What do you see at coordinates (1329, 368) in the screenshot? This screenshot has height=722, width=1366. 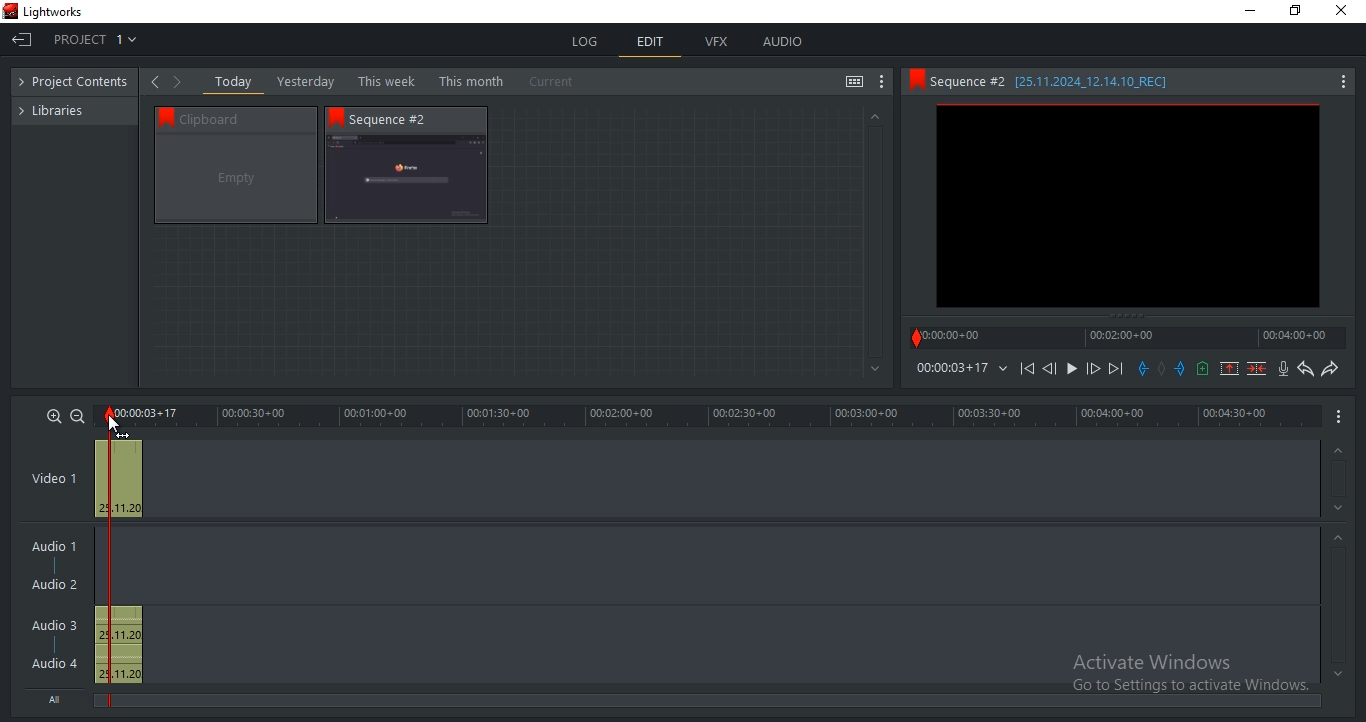 I see `redo` at bounding box center [1329, 368].